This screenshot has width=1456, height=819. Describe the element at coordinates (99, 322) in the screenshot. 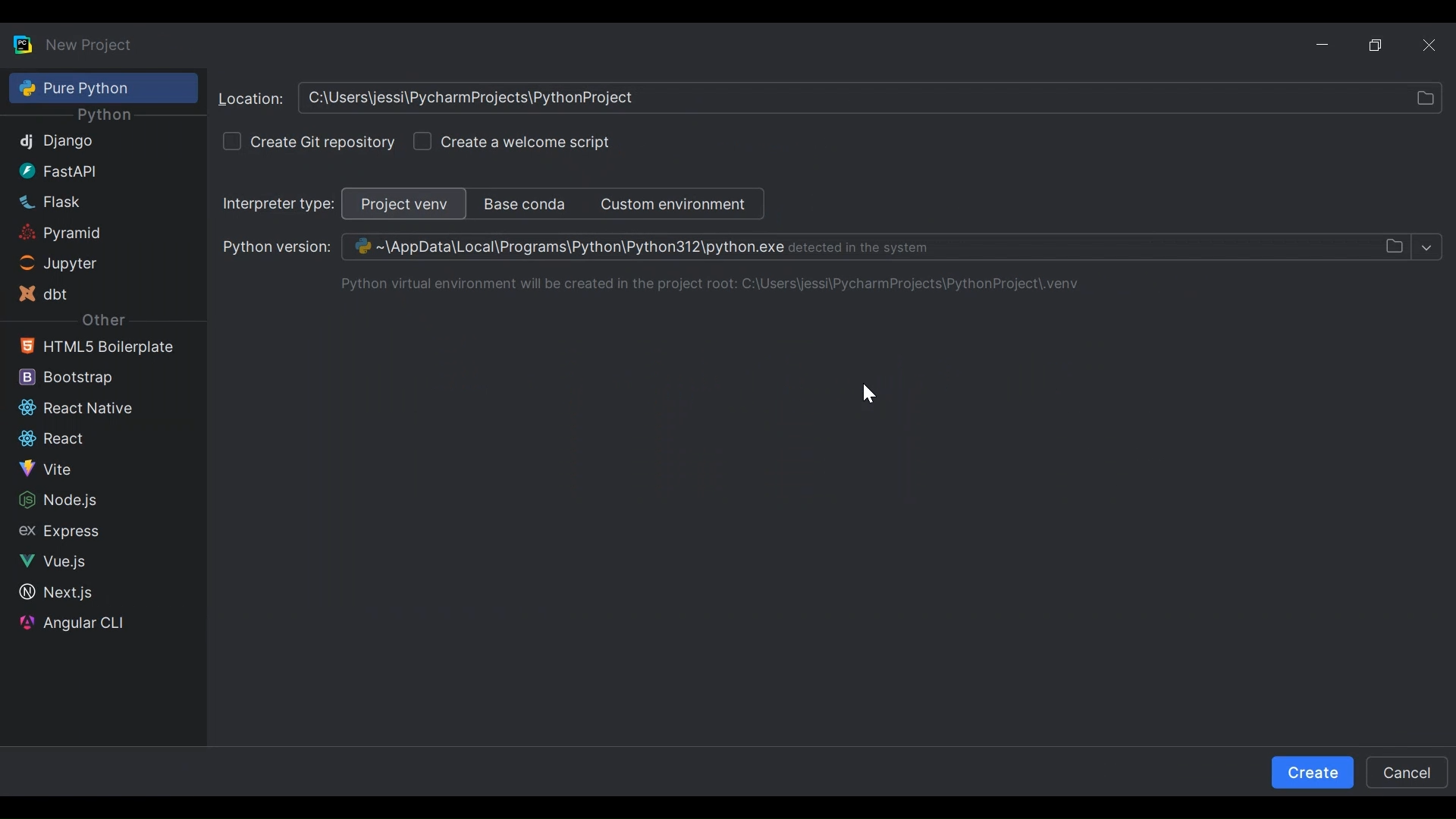

I see `Other` at that location.